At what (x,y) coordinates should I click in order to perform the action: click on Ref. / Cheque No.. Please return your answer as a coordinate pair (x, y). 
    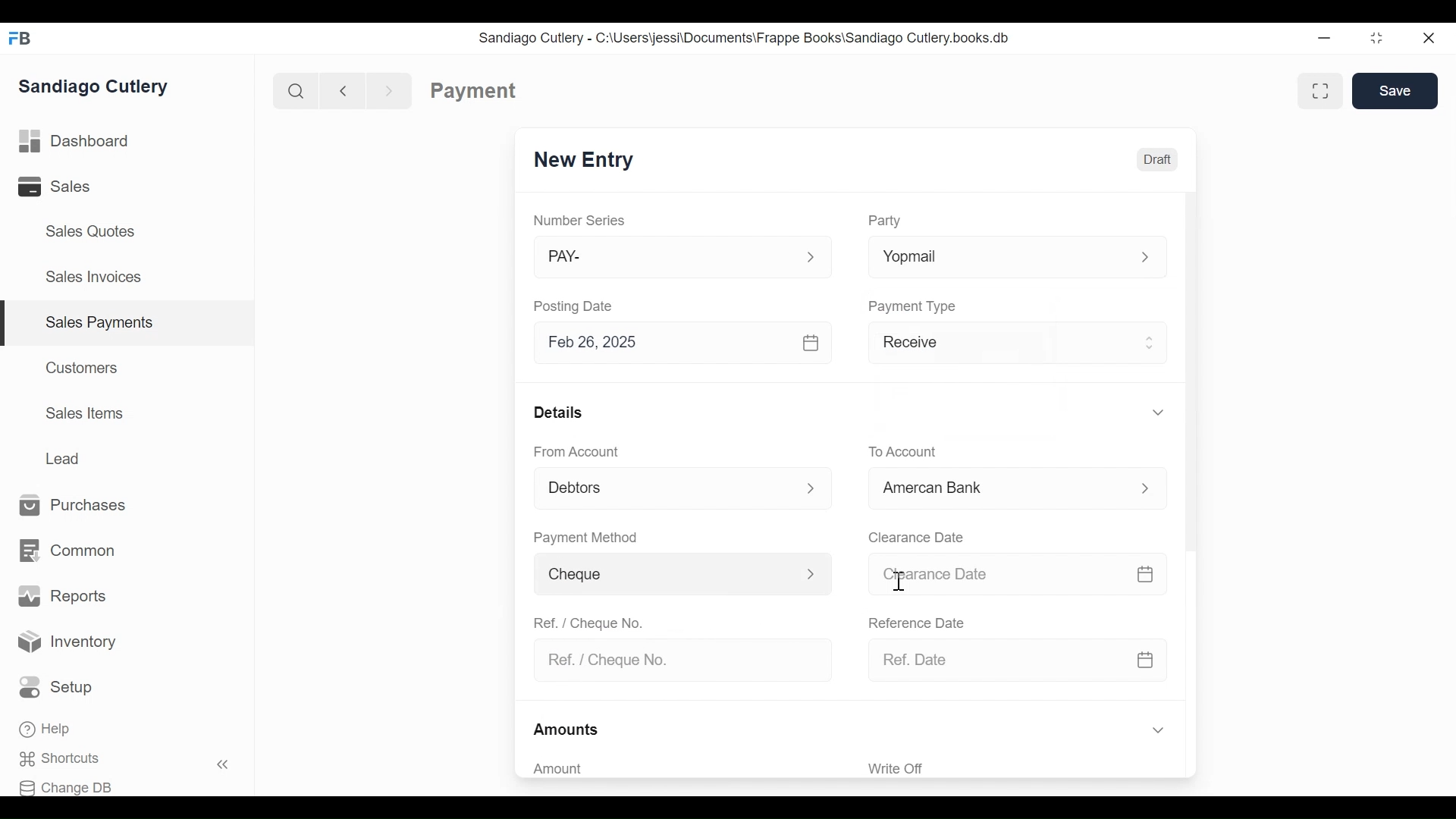
    Looking at the image, I should click on (587, 622).